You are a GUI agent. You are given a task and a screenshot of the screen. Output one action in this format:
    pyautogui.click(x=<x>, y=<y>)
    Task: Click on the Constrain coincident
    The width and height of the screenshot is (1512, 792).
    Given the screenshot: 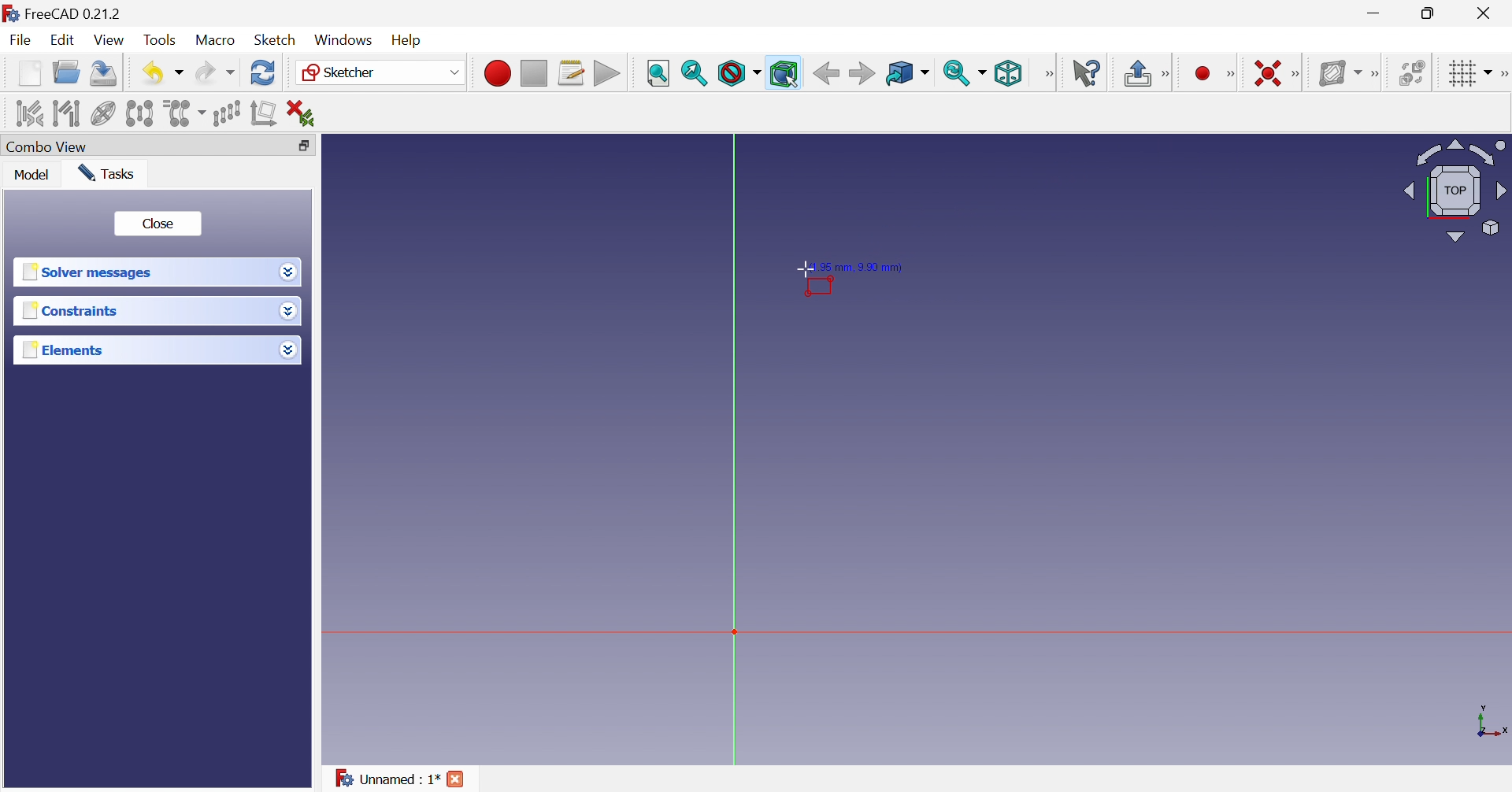 What is the action you would take?
    pyautogui.click(x=1267, y=72)
    